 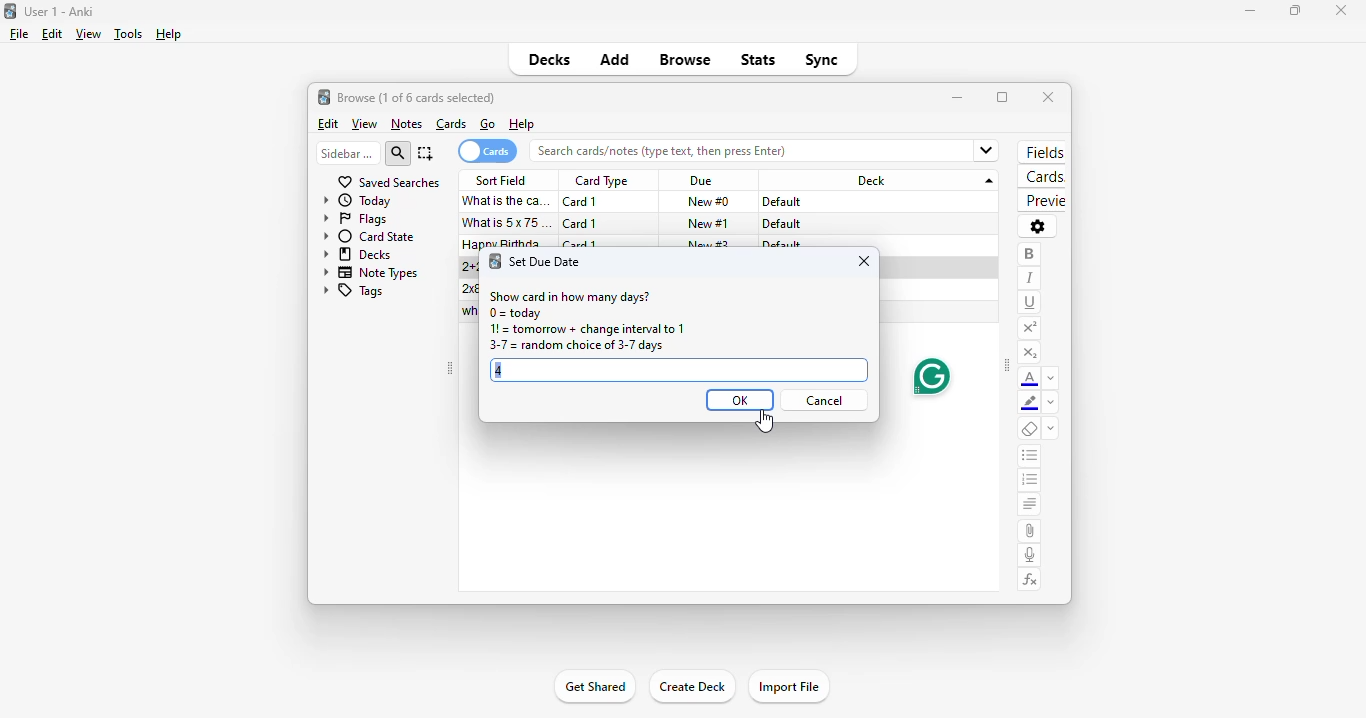 I want to click on close, so click(x=1340, y=9).